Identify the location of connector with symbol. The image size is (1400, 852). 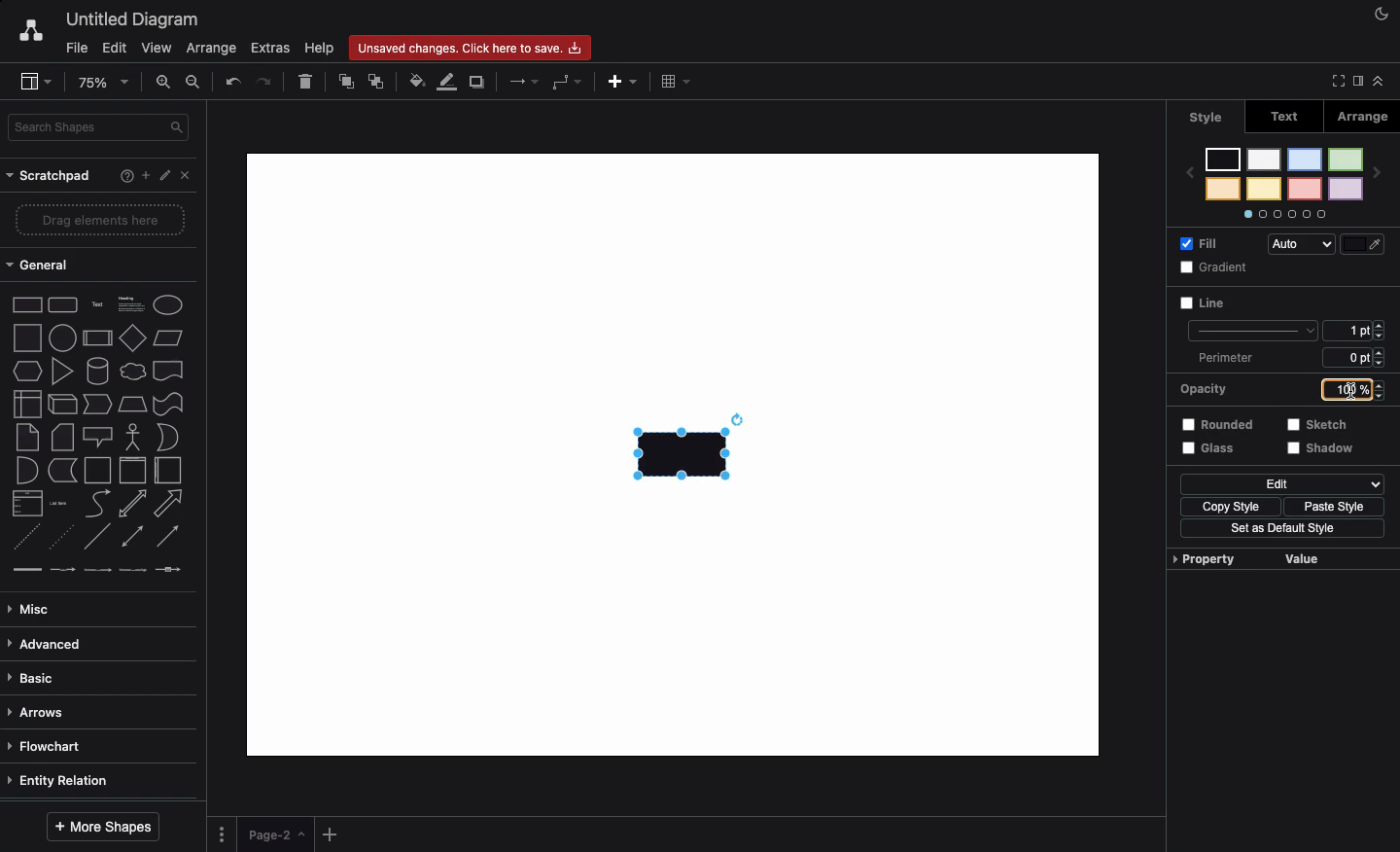
(171, 572).